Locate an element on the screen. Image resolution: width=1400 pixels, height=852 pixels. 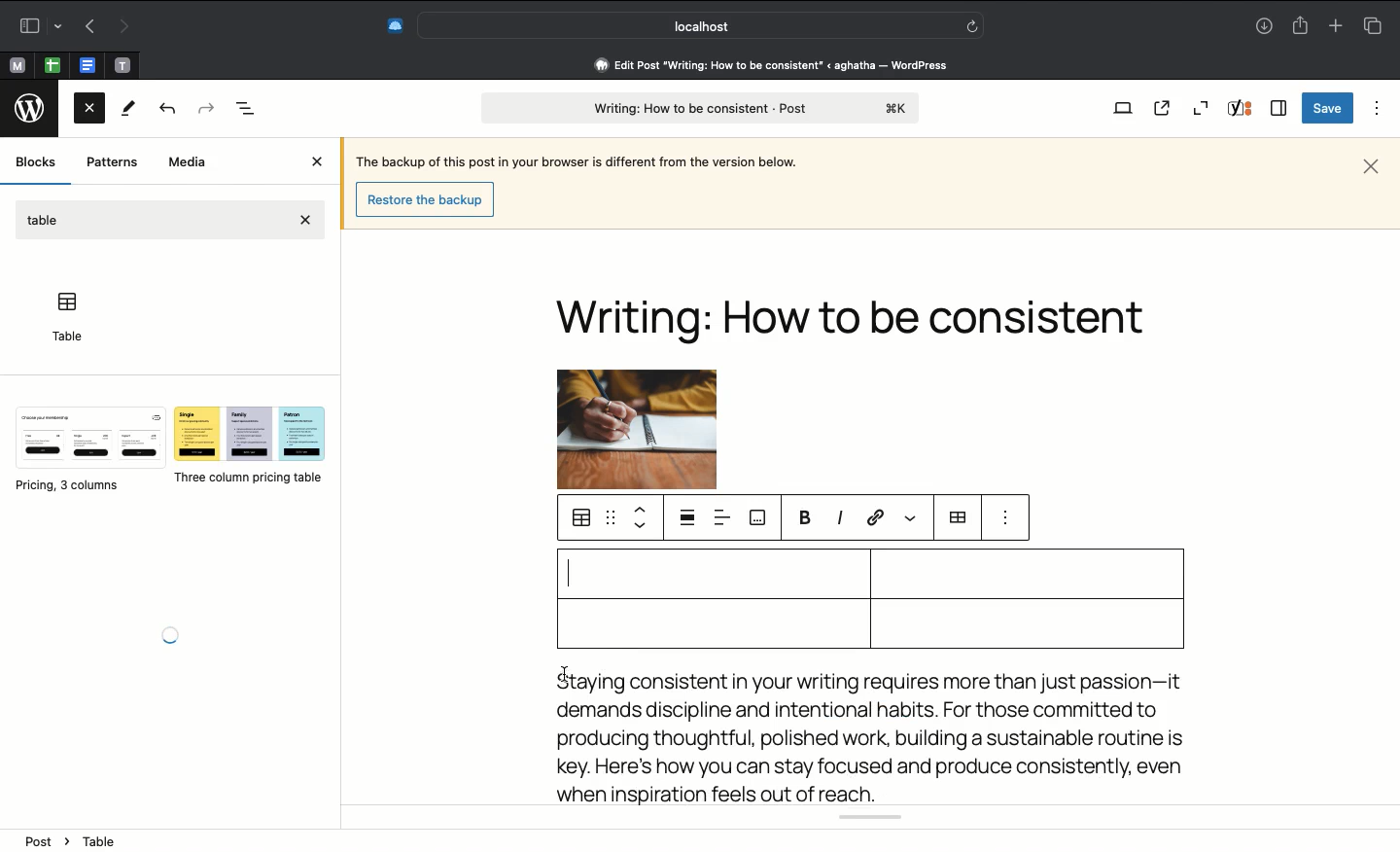
Patterns is located at coordinates (112, 162).